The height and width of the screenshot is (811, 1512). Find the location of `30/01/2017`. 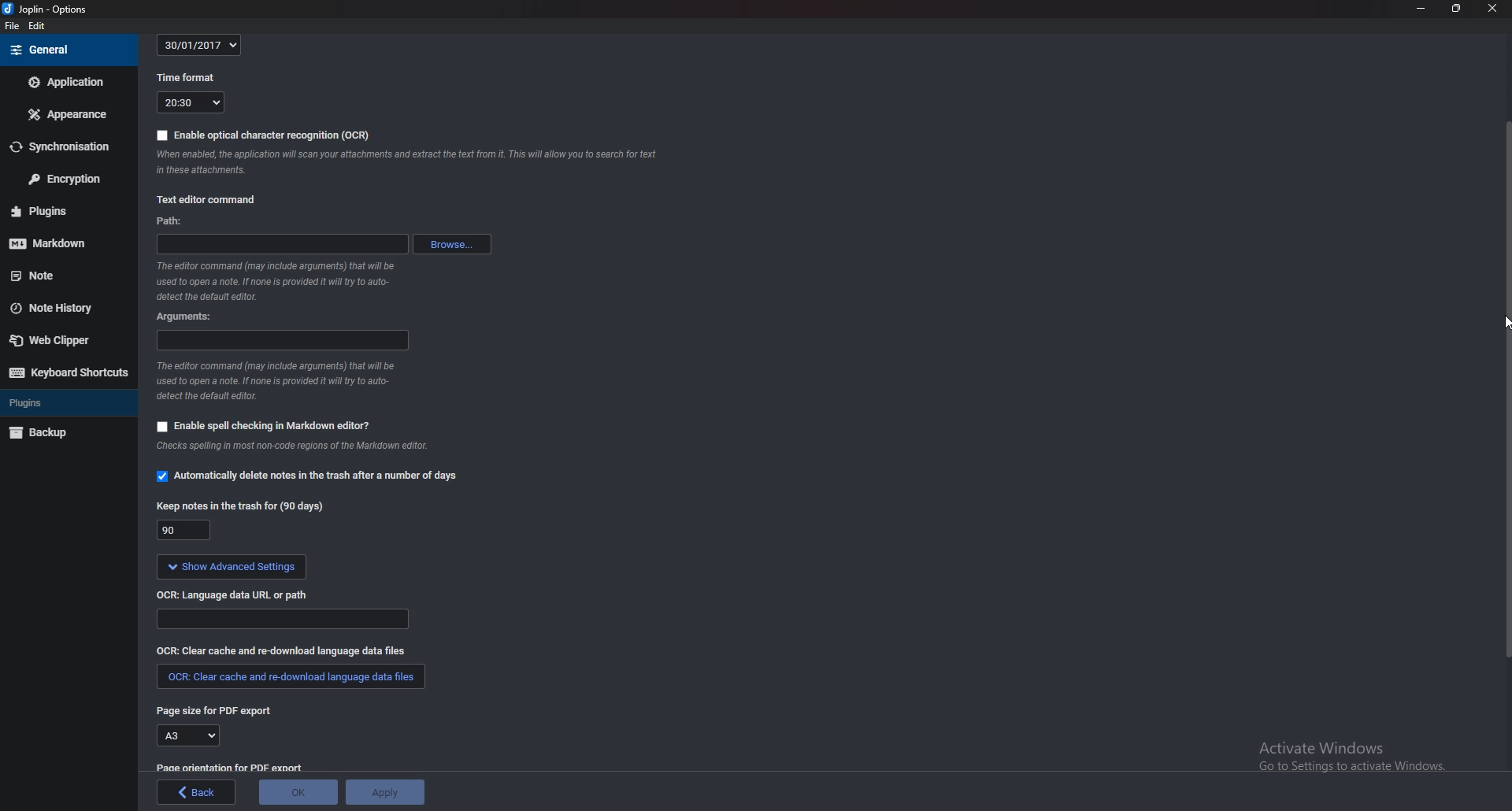

30/01/2017 is located at coordinates (202, 43).